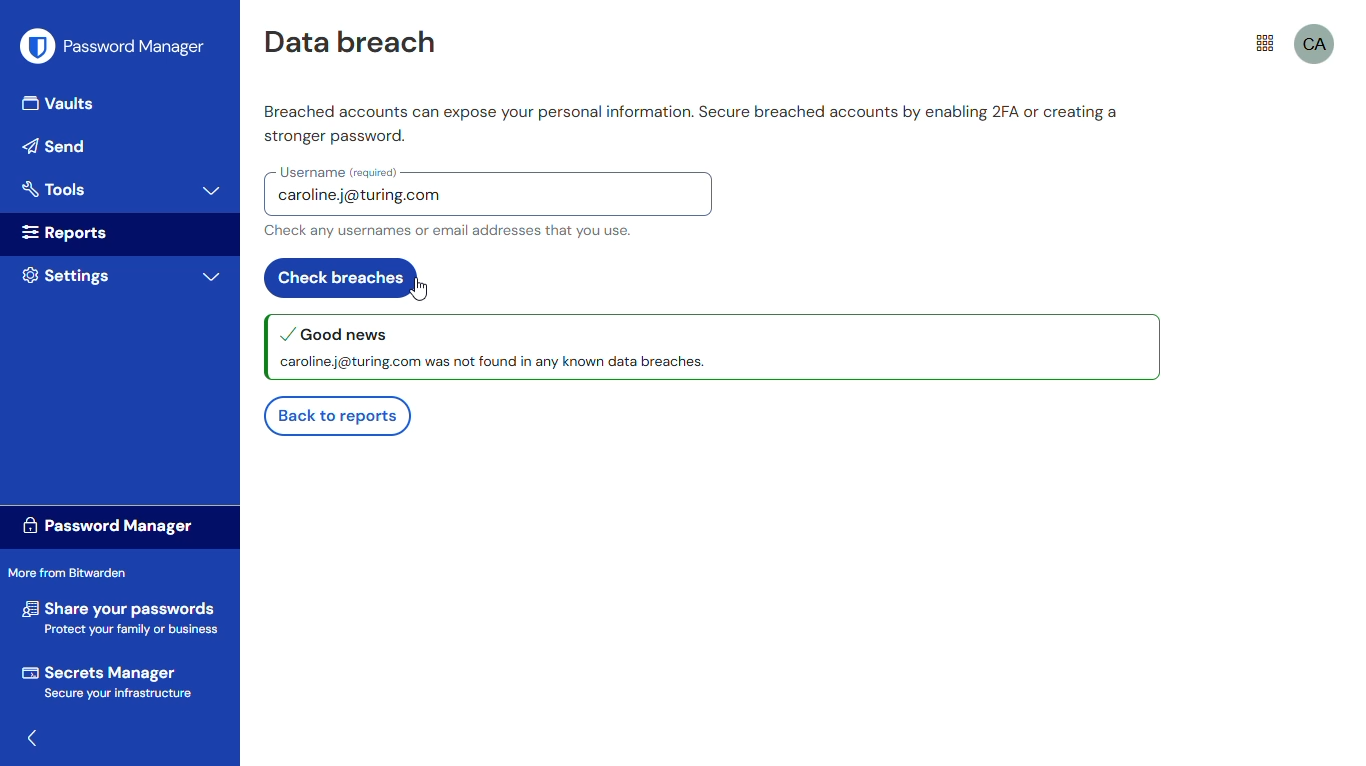  I want to click on more from bitwarden, so click(1265, 42).